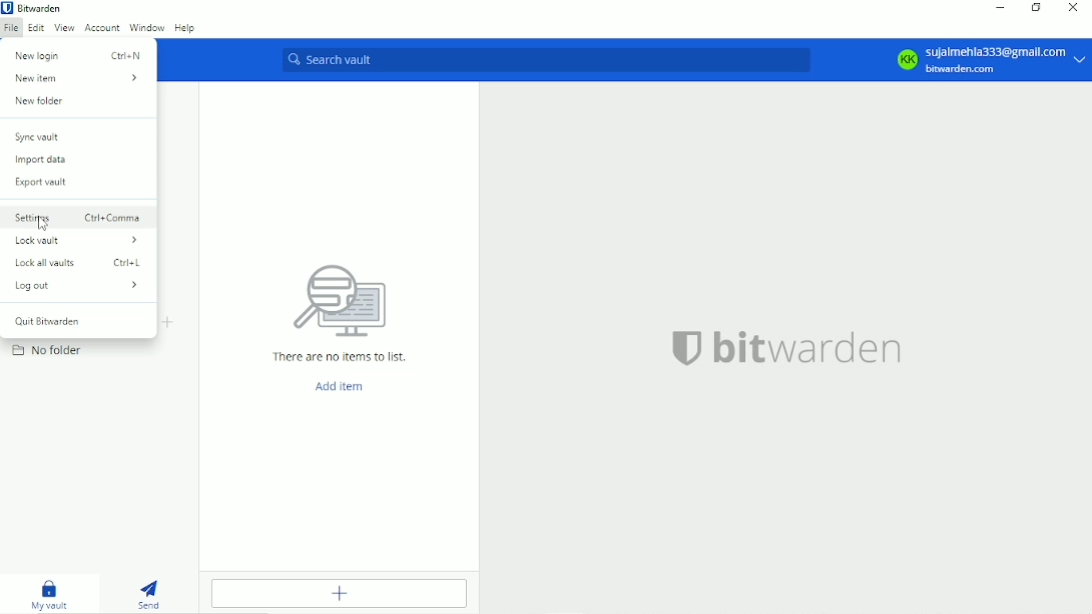 This screenshot has height=614, width=1092. What do you see at coordinates (34, 27) in the screenshot?
I see `Edit` at bounding box center [34, 27].